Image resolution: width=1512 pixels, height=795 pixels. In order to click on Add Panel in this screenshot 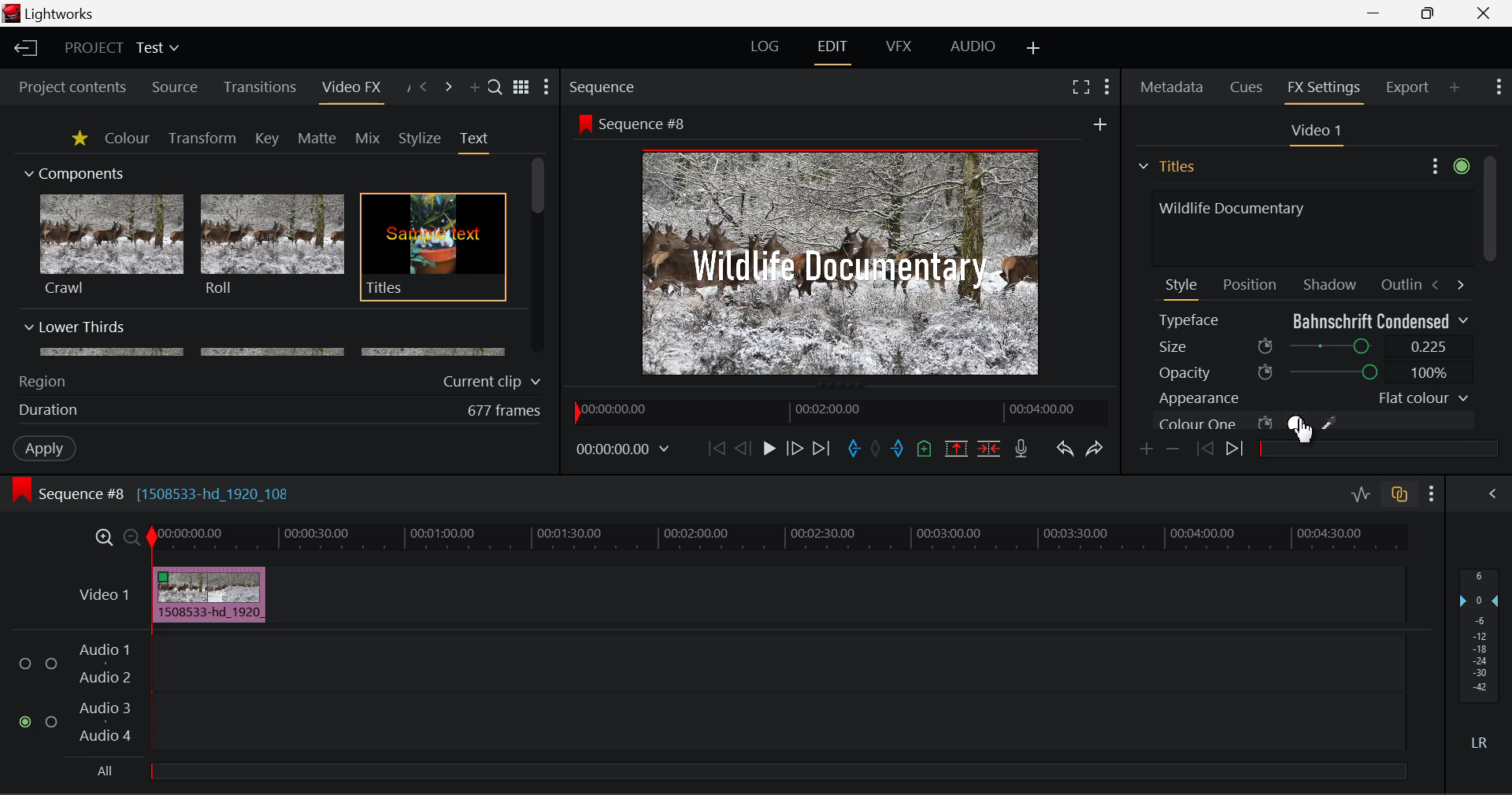, I will do `click(472, 88)`.